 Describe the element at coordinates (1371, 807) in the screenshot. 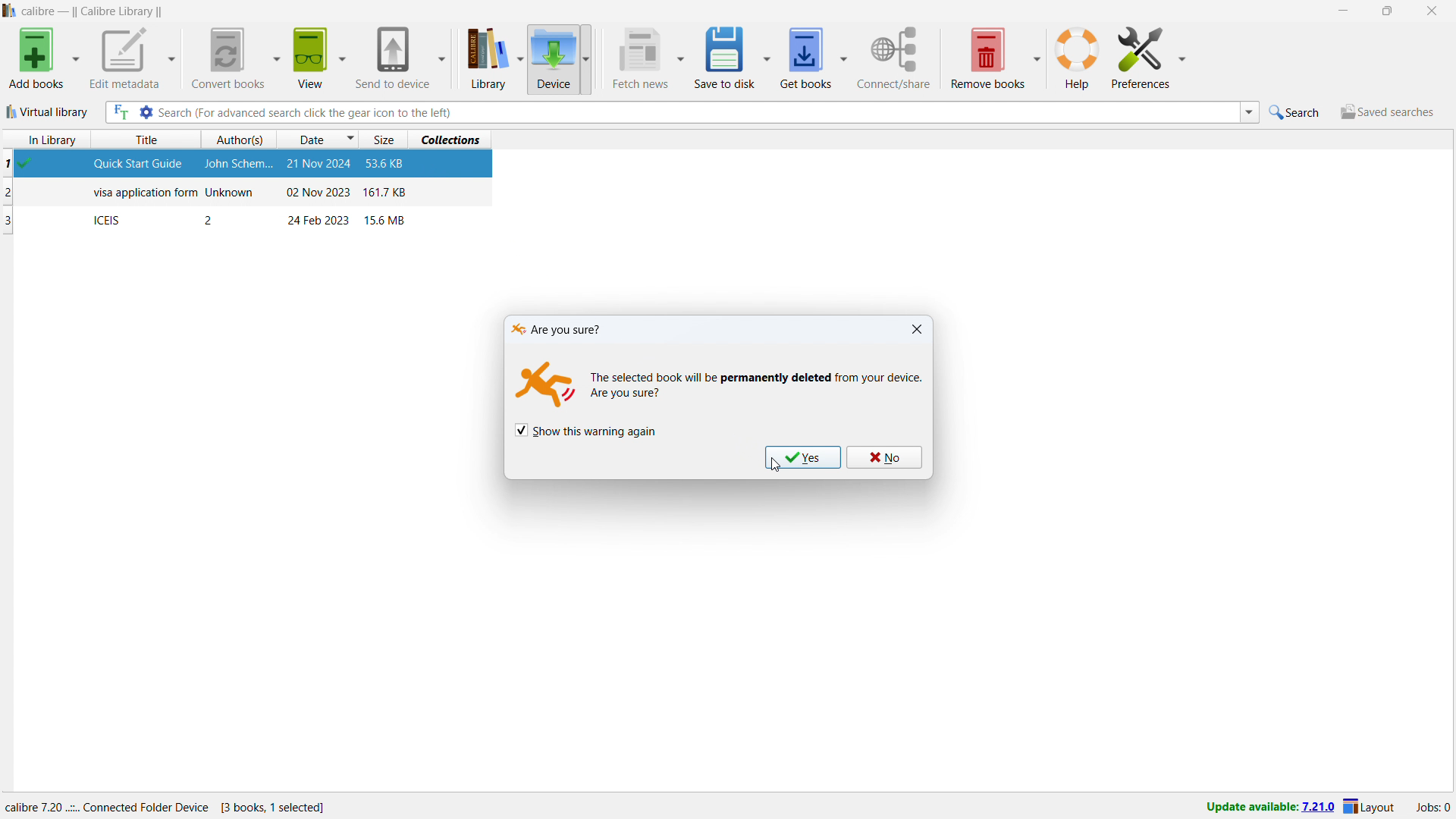

I see `layout` at that location.